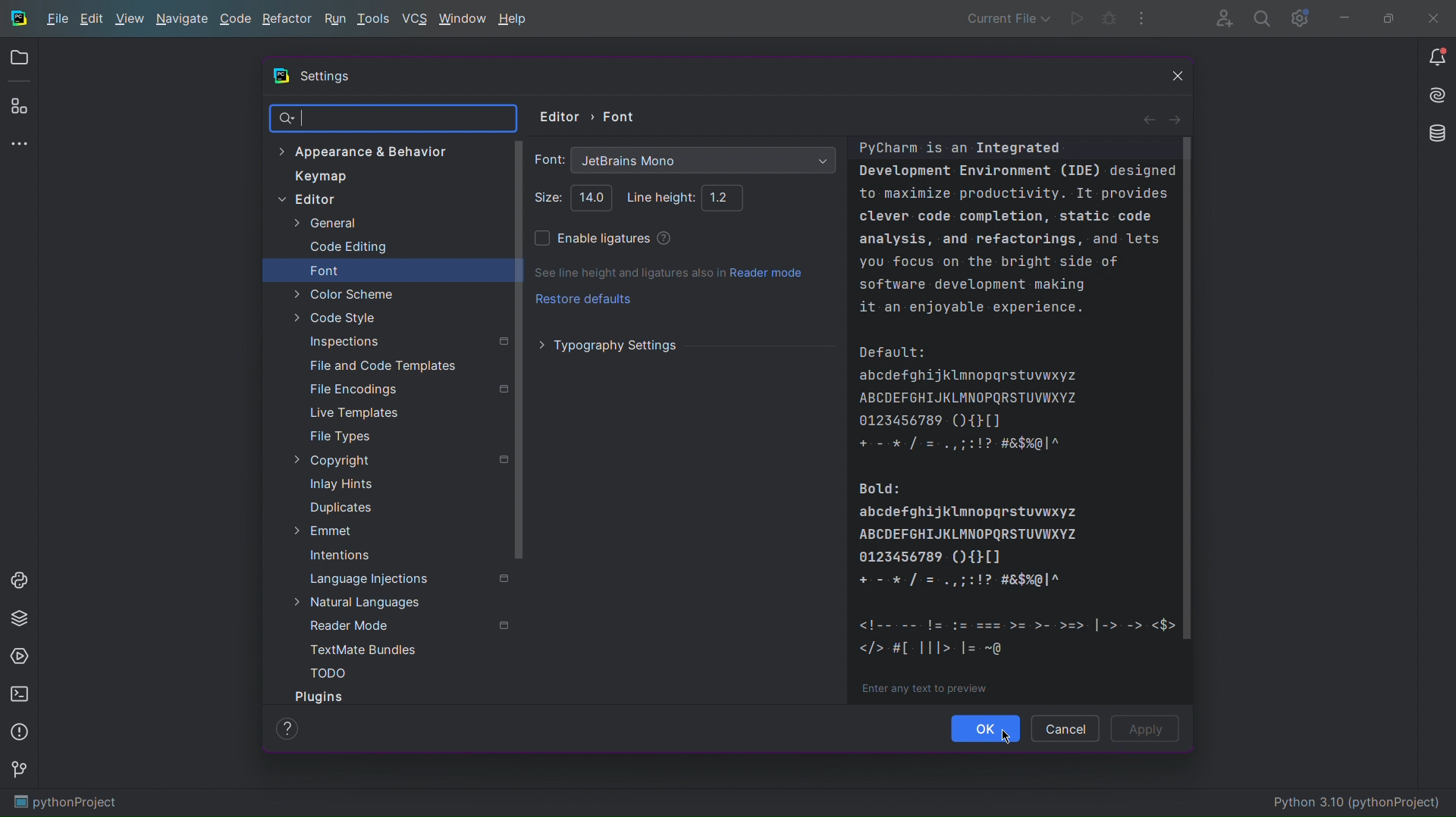 Image resolution: width=1456 pixels, height=817 pixels. What do you see at coordinates (21, 658) in the screenshot?
I see `Services` at bounding box center [21, 658].